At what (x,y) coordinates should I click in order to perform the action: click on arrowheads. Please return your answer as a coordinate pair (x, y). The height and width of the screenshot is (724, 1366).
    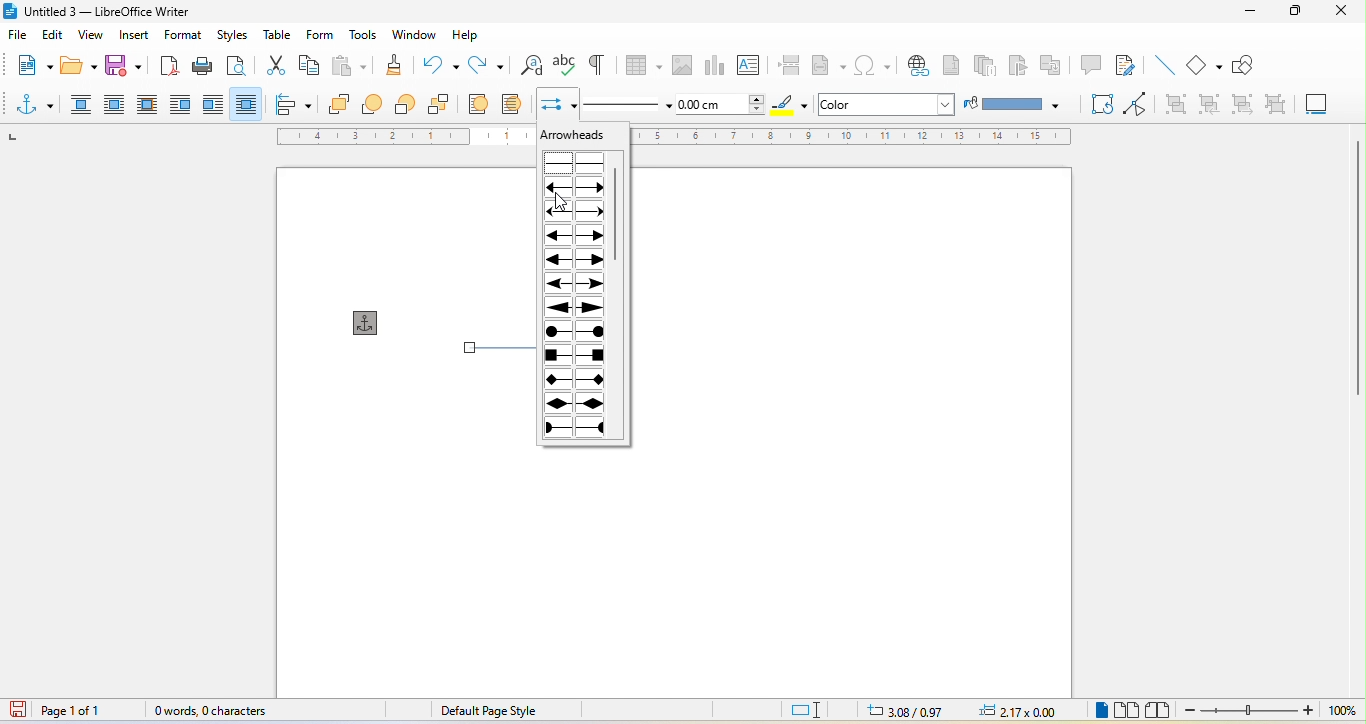
    Looking at the image, I should click on (574, 136).